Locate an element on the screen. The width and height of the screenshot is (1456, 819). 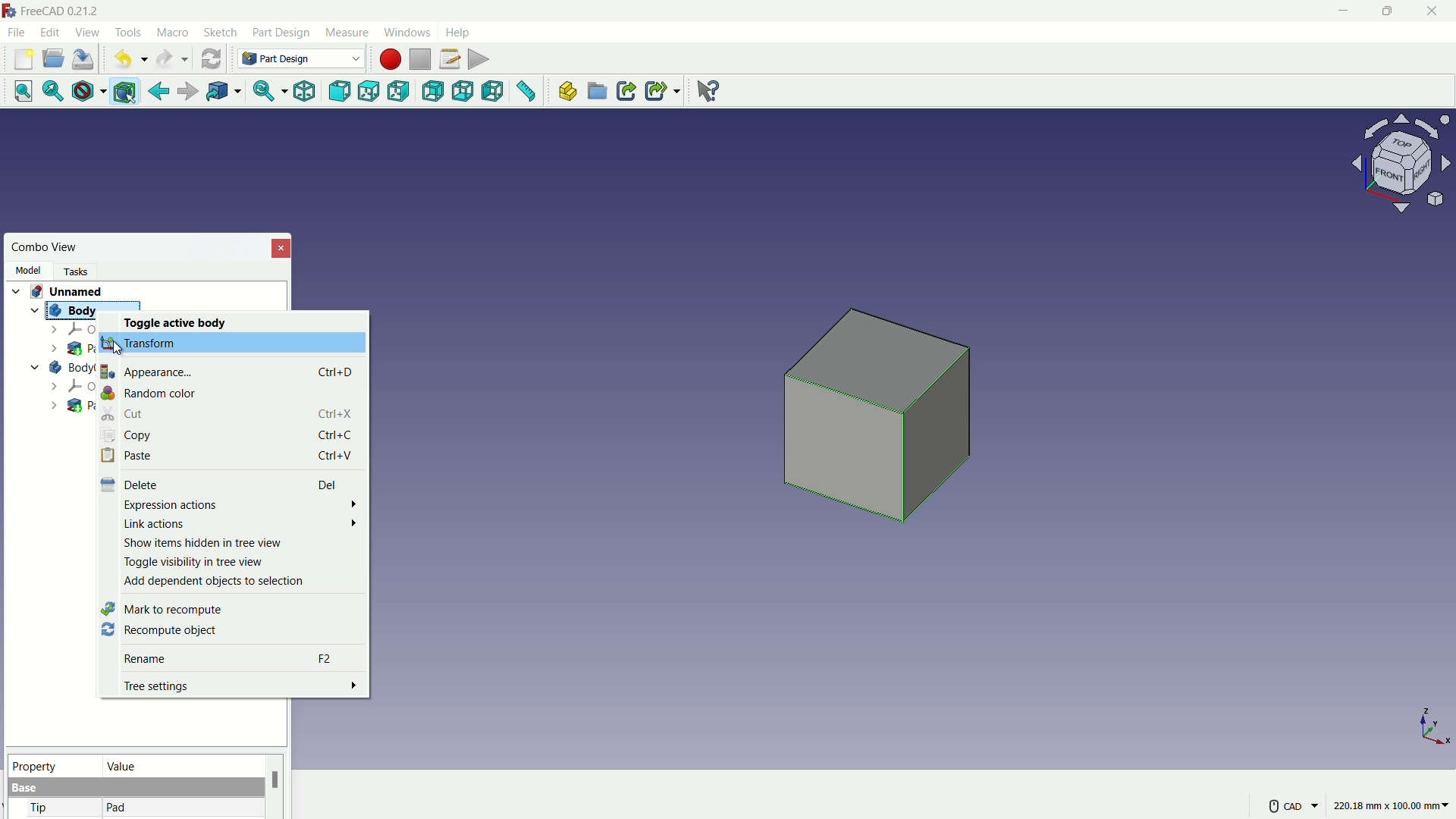
go back is located at coordinates (159, 92).